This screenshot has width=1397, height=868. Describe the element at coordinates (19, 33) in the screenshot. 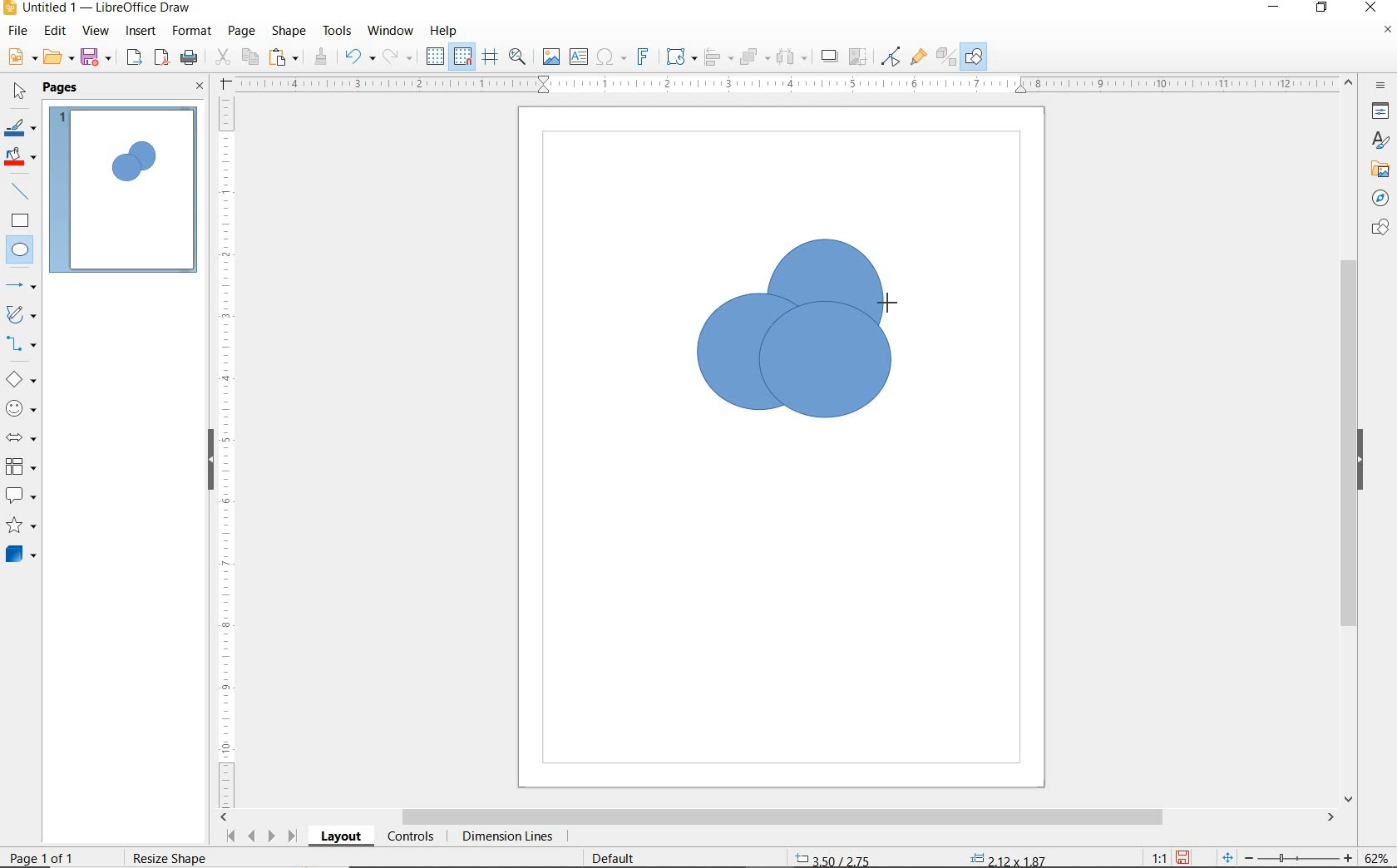

I see `FILE` at that location.